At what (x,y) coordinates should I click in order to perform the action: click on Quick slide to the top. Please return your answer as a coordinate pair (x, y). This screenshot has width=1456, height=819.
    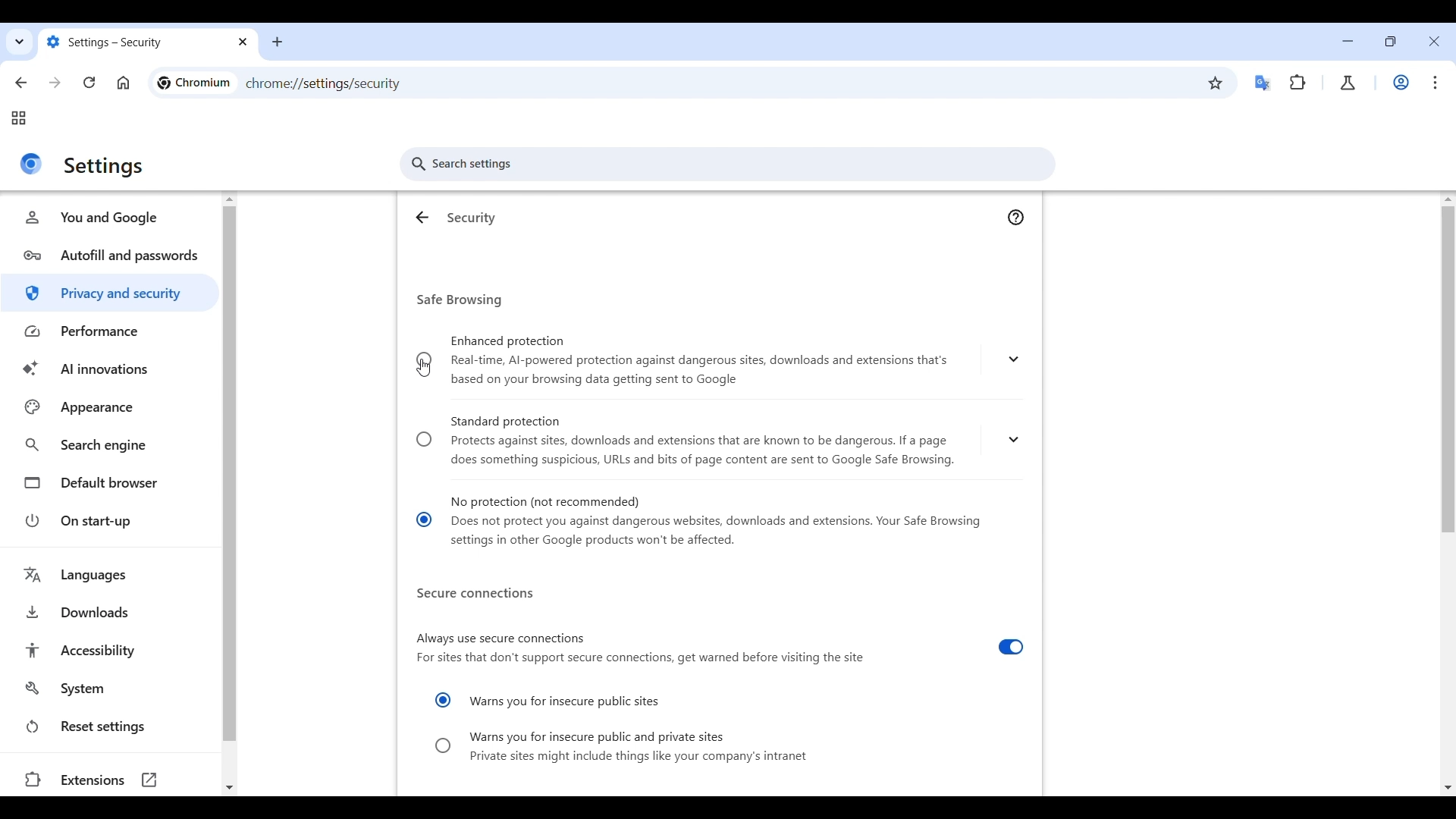
    Looking at the image, I should click on (230, 199).